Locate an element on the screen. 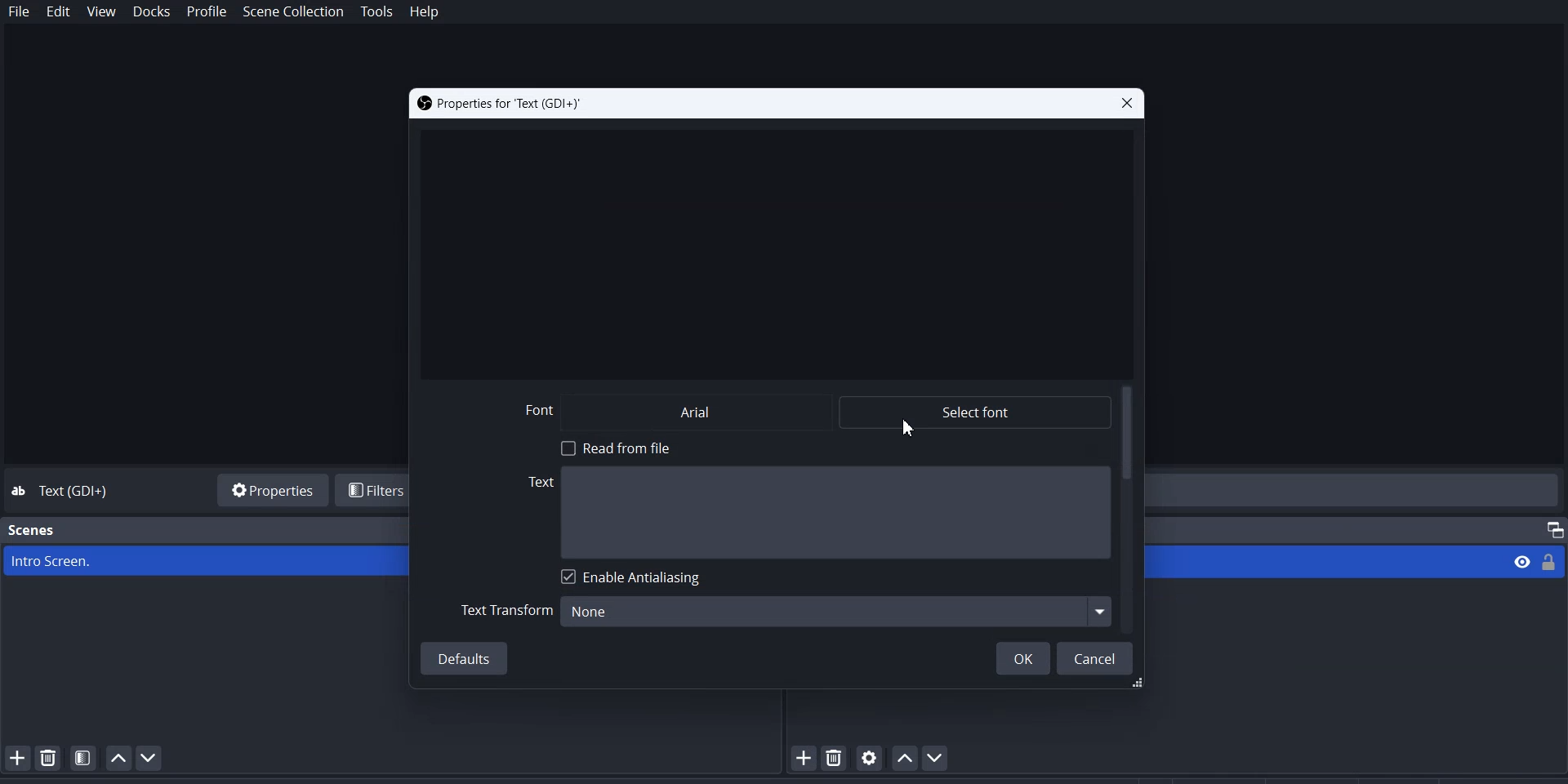 The width and height of the screenshot is (1568, 784). Add Text is located at coordinates (819, 513).